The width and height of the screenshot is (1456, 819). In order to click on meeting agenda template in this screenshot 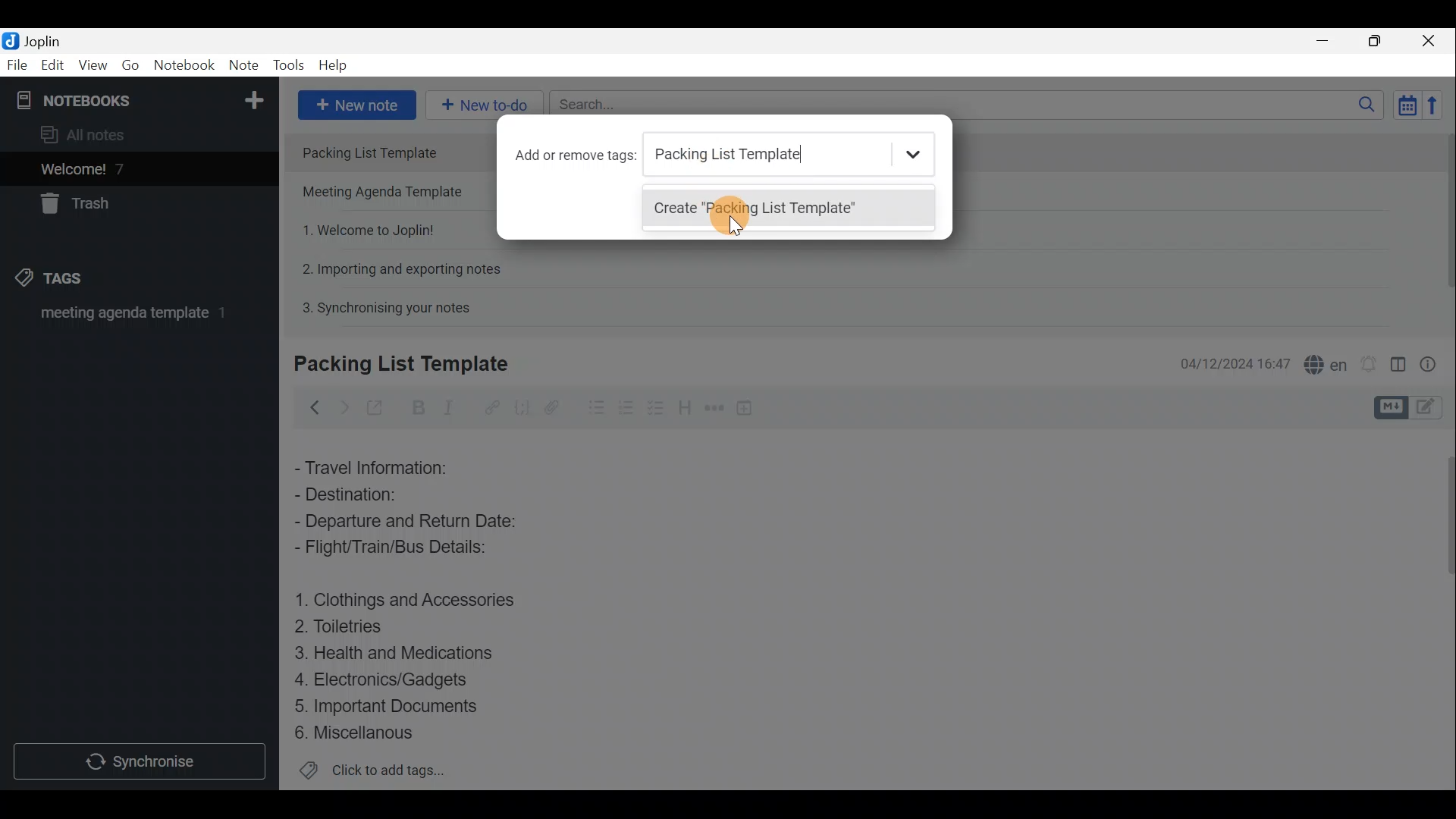, I will do `click(130, 318)`.